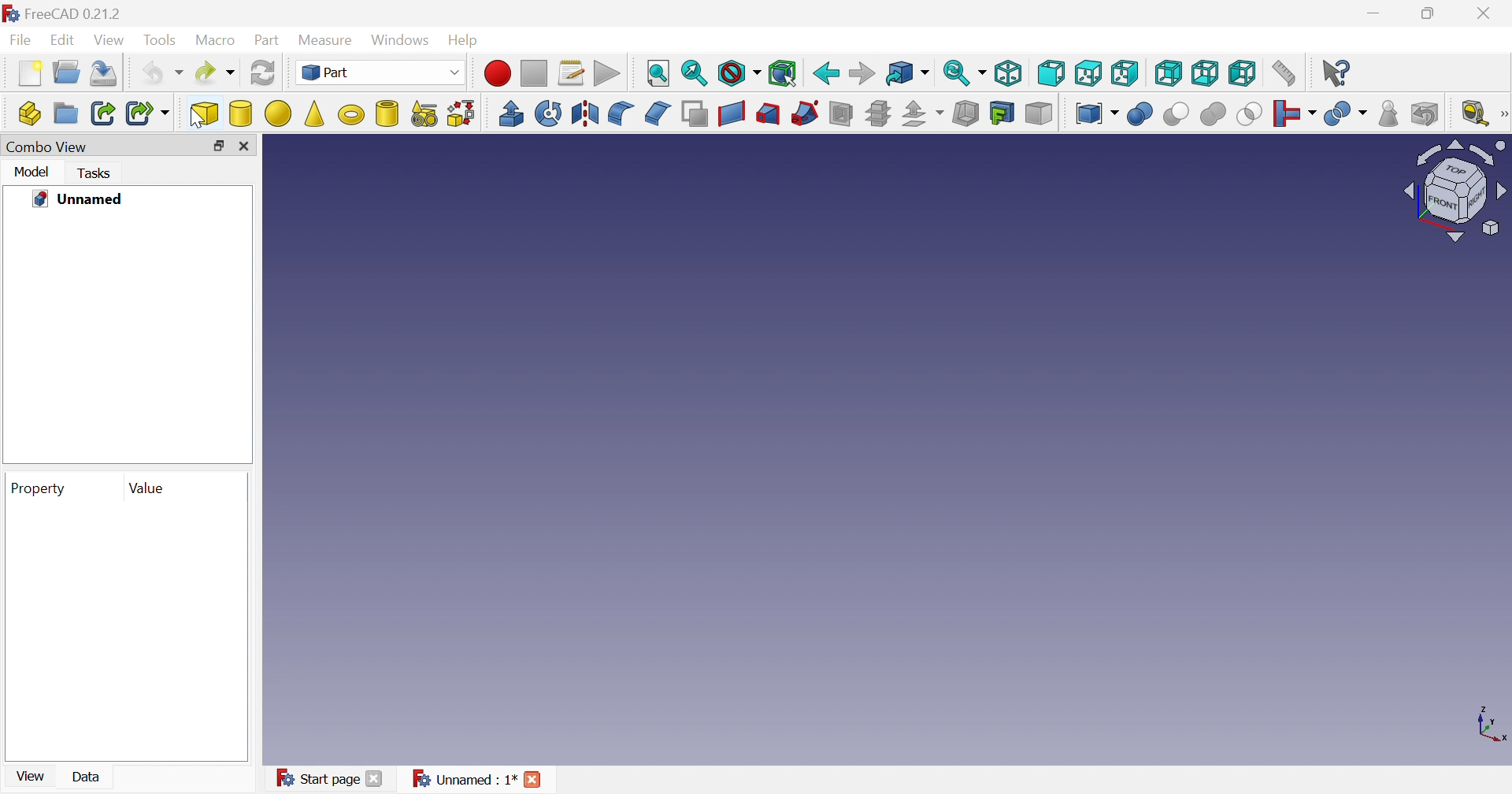 This screenshot has width=1512, height=794. What do you see at coordinates (104, 112) in the screenshot?
I see `Make link` at bounding box center [104, 112].